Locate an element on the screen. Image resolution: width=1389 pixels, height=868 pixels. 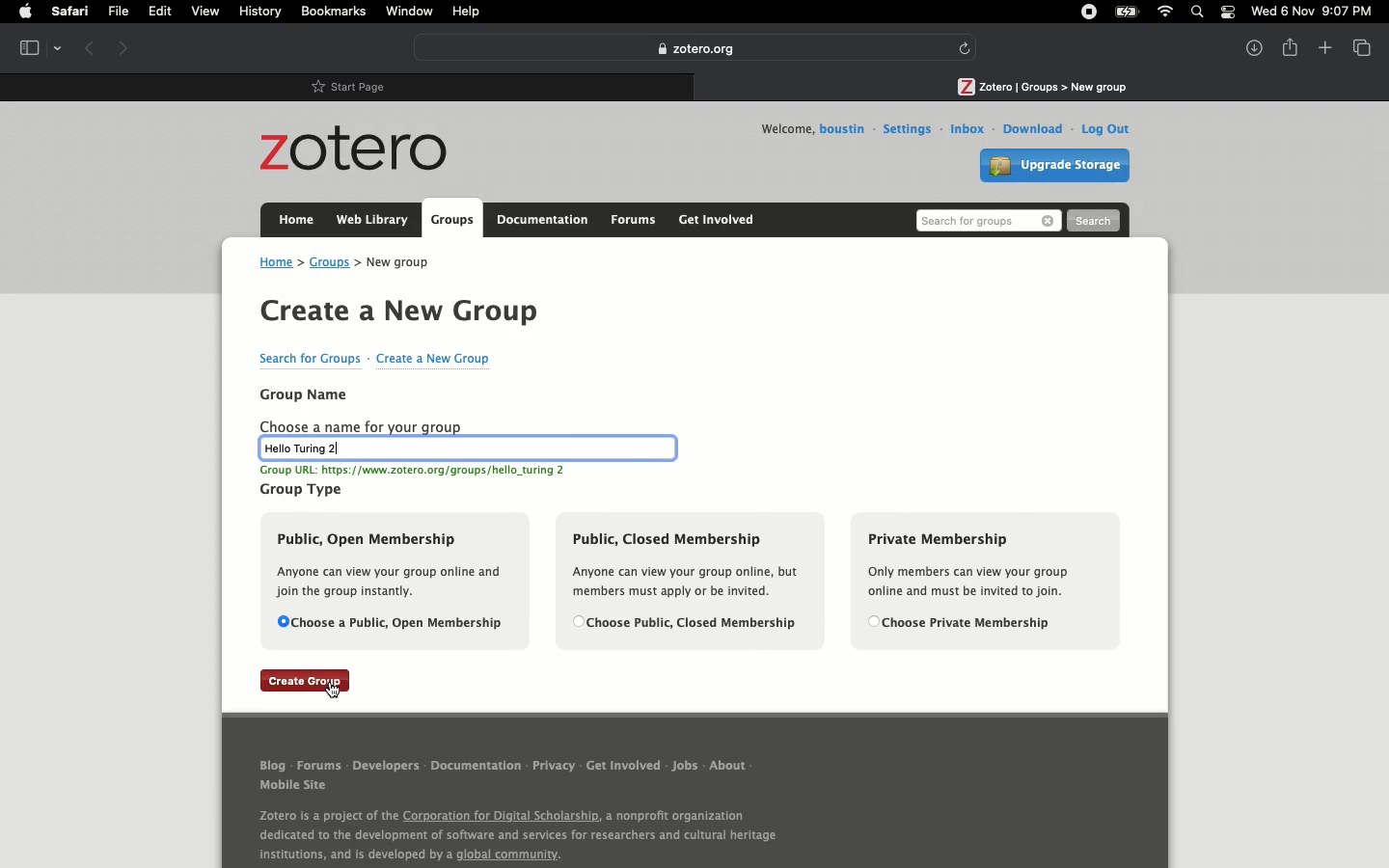
Choose a name for your group is located at coordinates (363, 426).